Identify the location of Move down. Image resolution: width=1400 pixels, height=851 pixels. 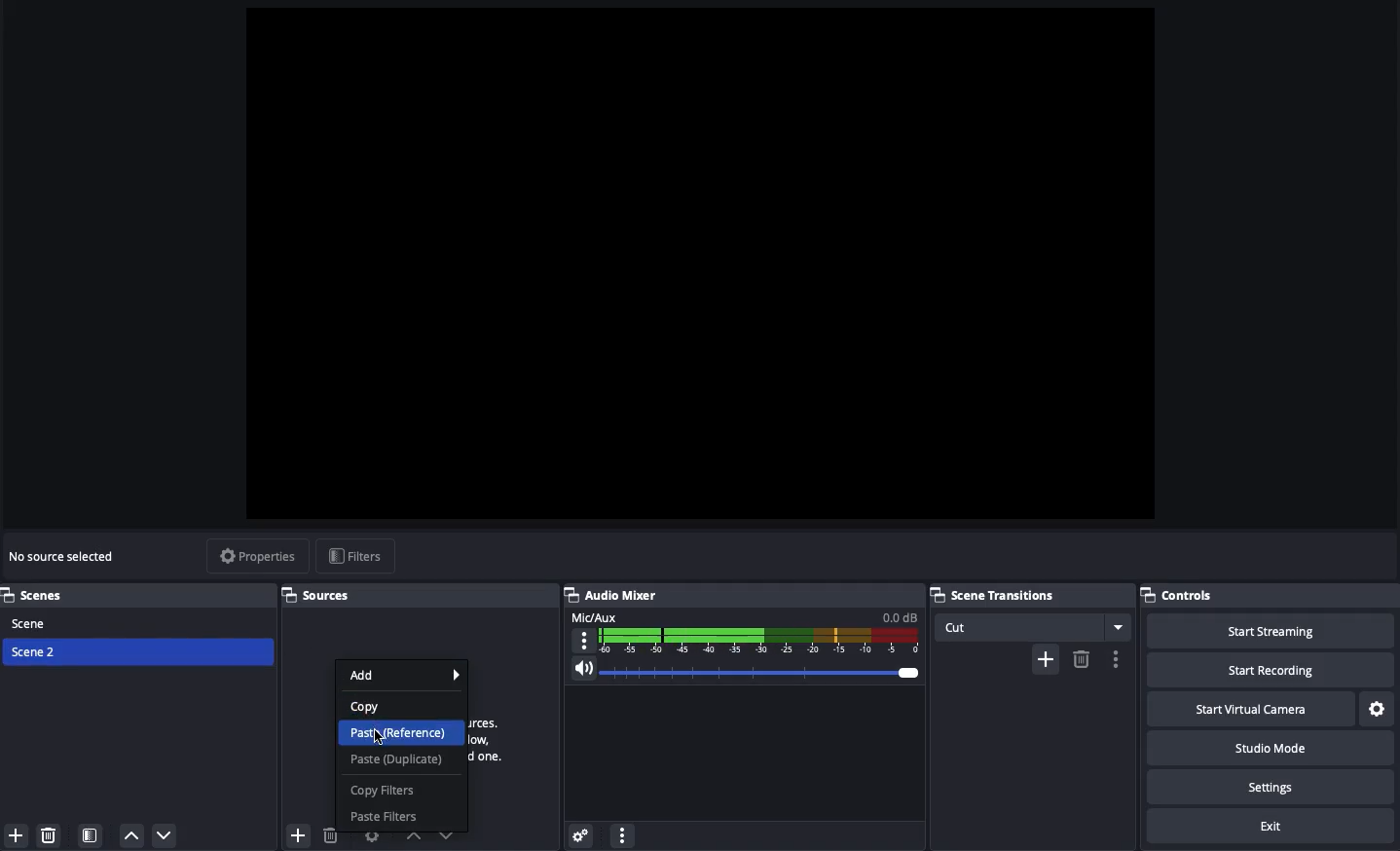
(166, 836).